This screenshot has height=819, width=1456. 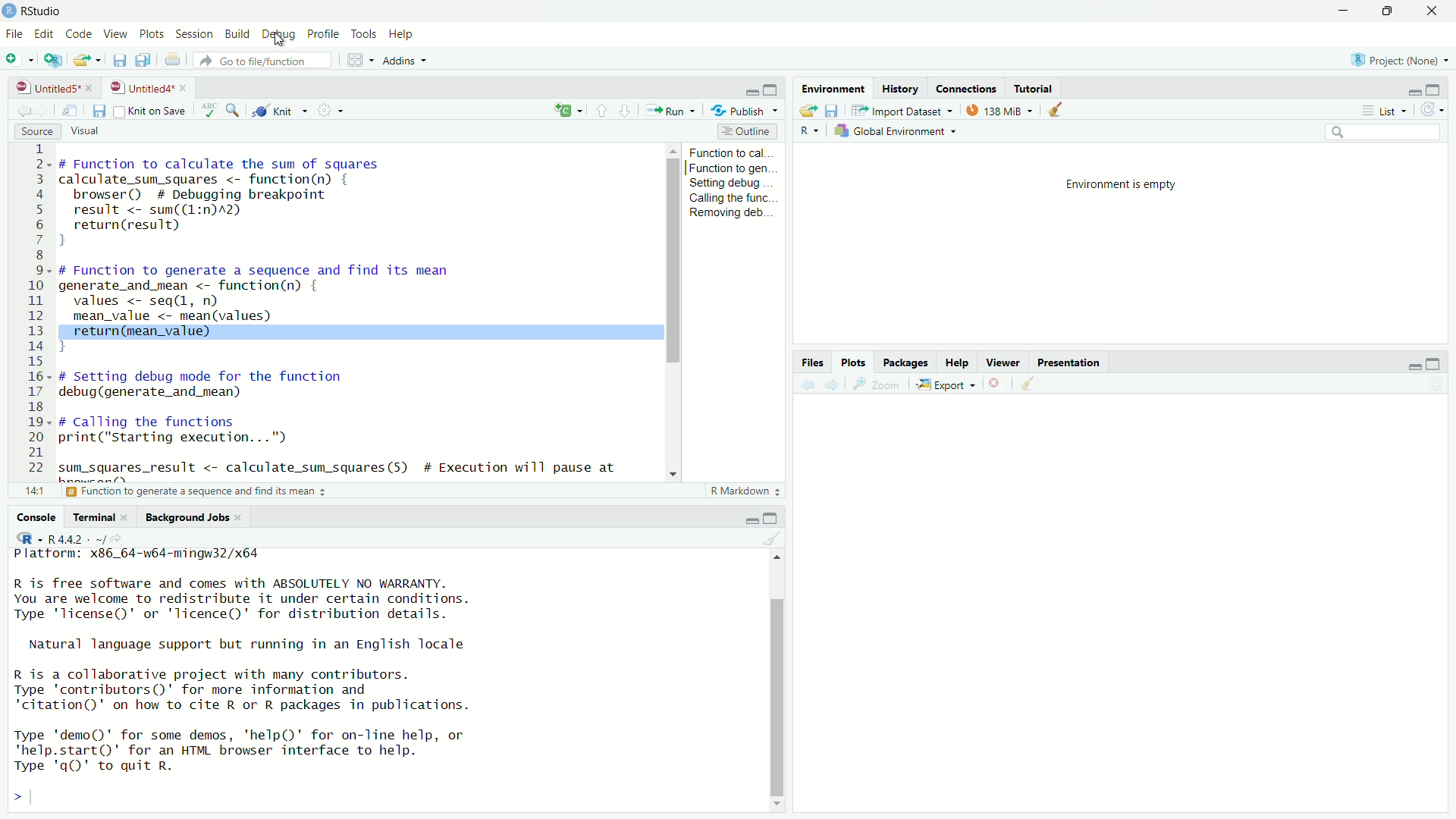 I want to click on debug function, so click(x=227, y=386).